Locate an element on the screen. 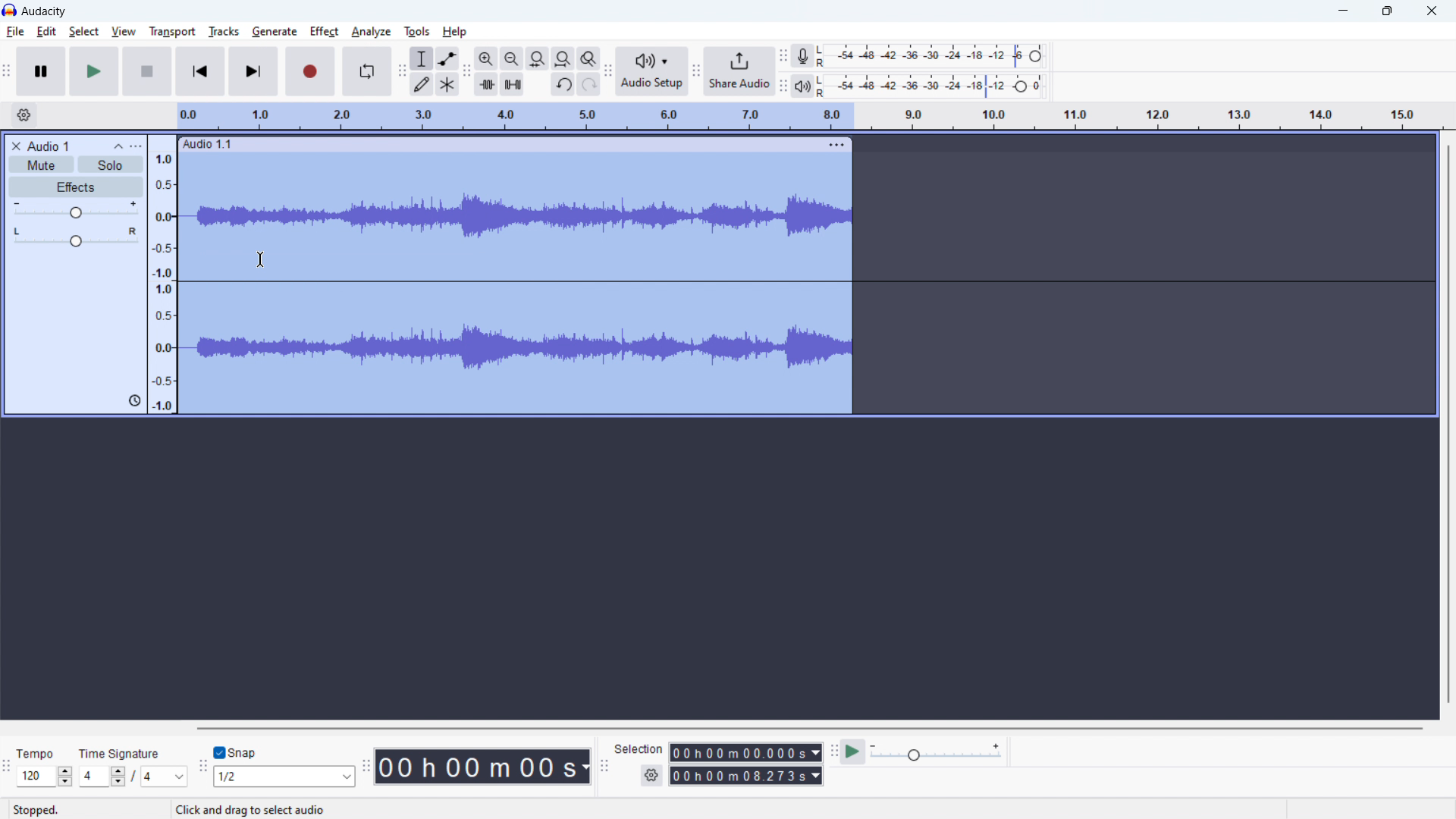 This screenshot has width=1456, height=819. start time is located at coordinates (745, 752).